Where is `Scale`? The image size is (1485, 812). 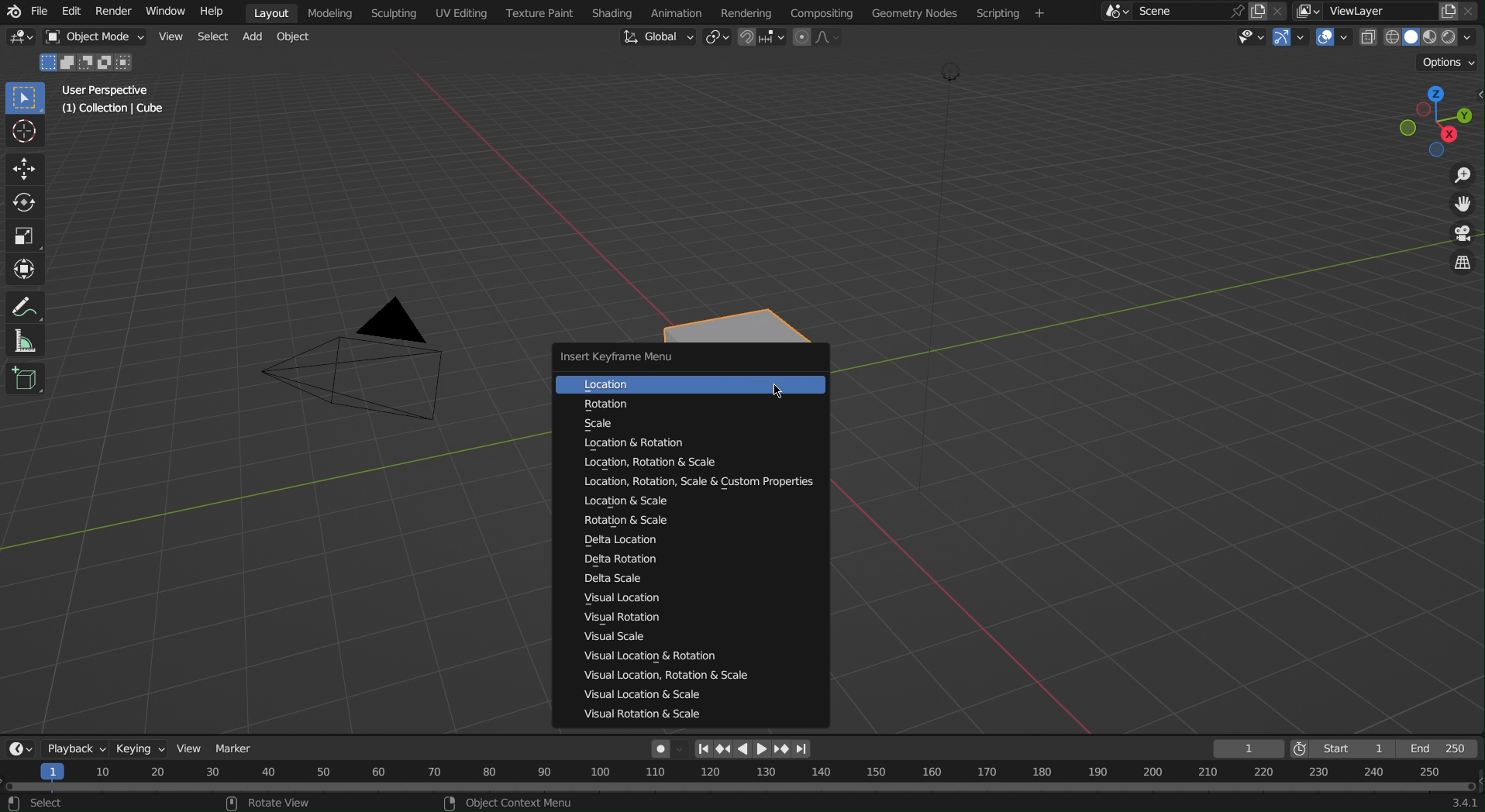 Scale is located at coordinates (24, 238).